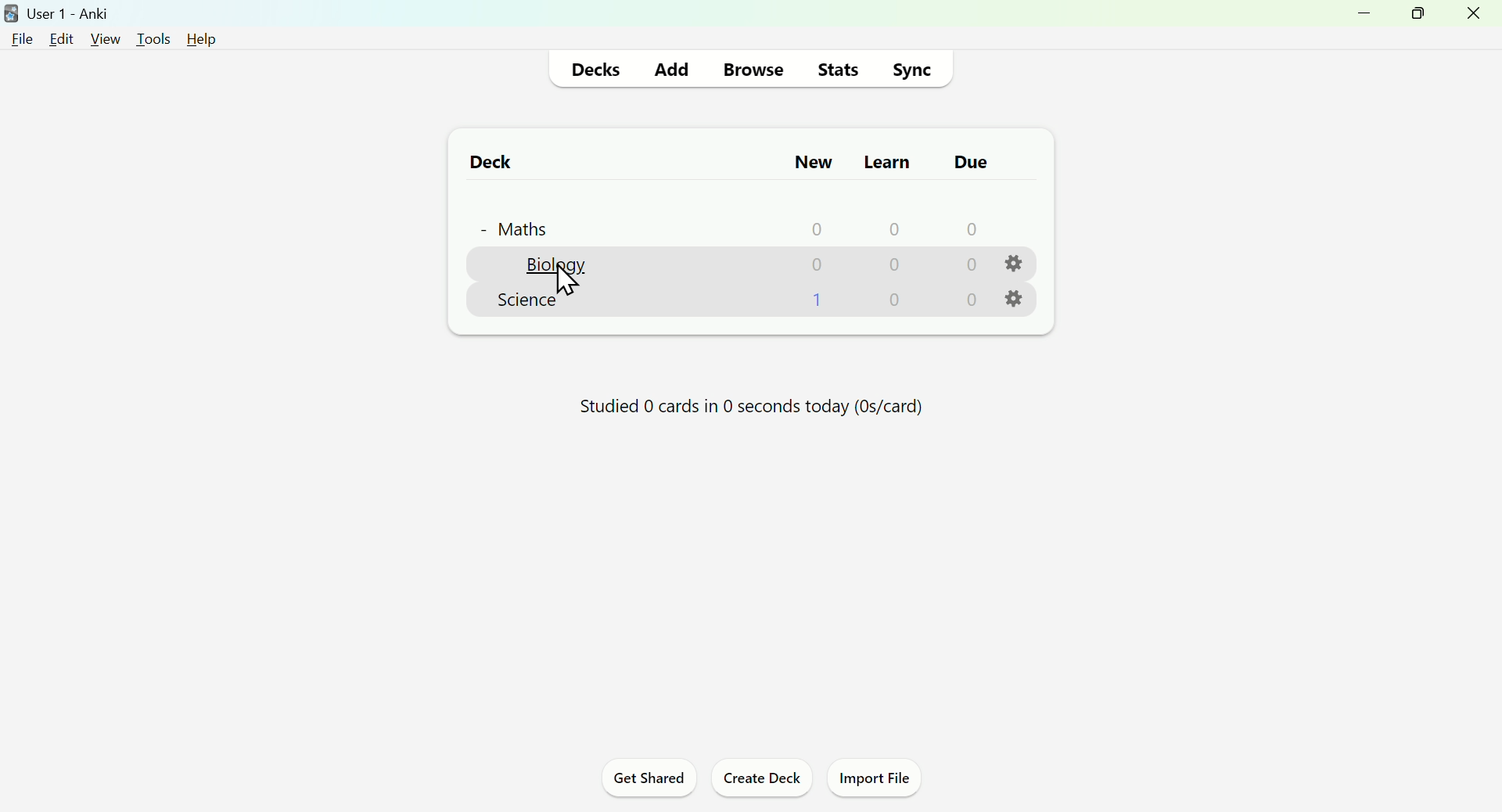 The height and width of the screenshot is (812, 1502). Describe the element at coordinates (526, 300) in the screenshot. I see `Science` at that location.